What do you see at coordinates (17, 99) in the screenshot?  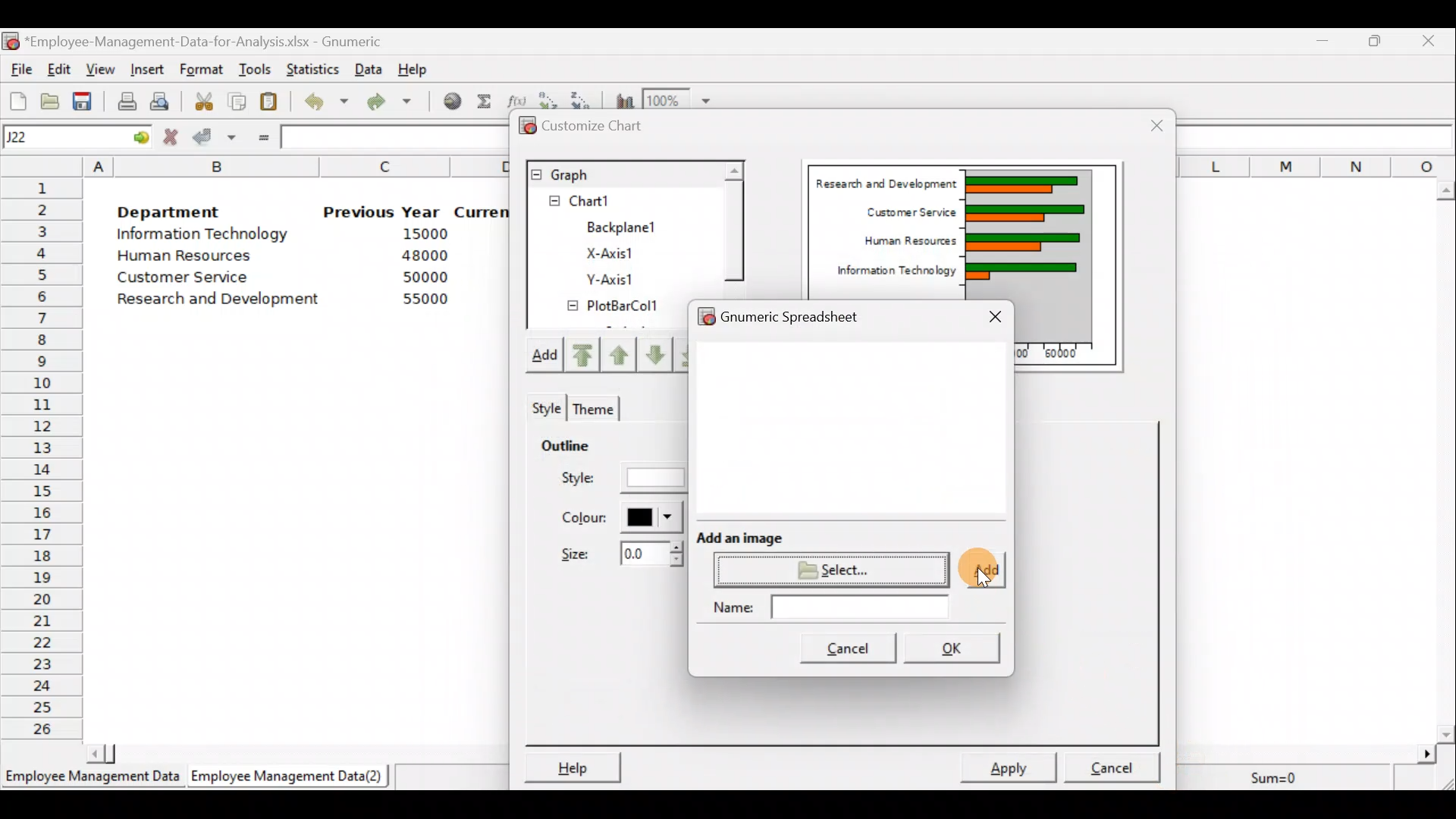 I see `Create a new workbook` at bounding box center [17, 99].